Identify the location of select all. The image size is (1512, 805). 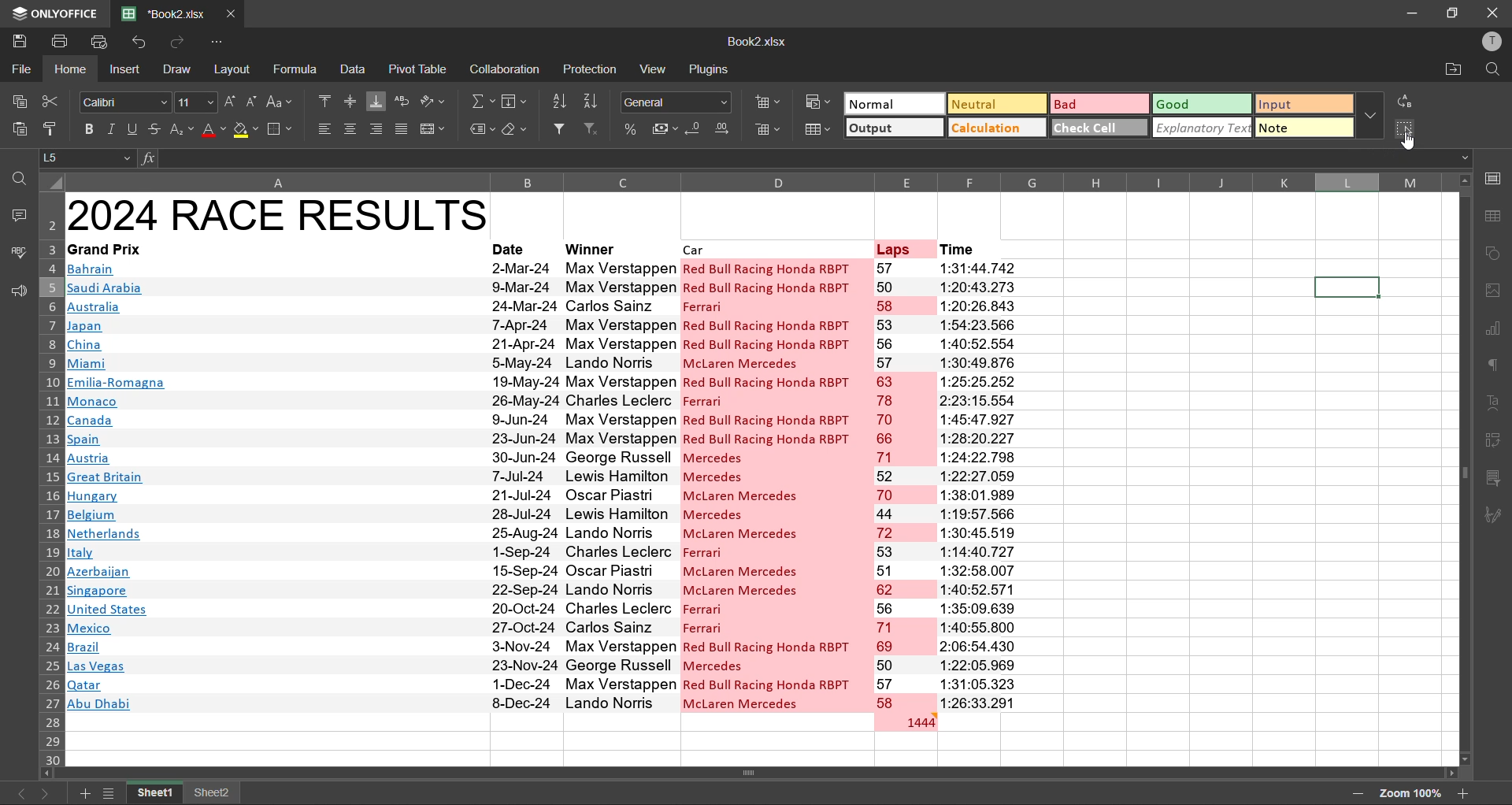
(1406, 129).